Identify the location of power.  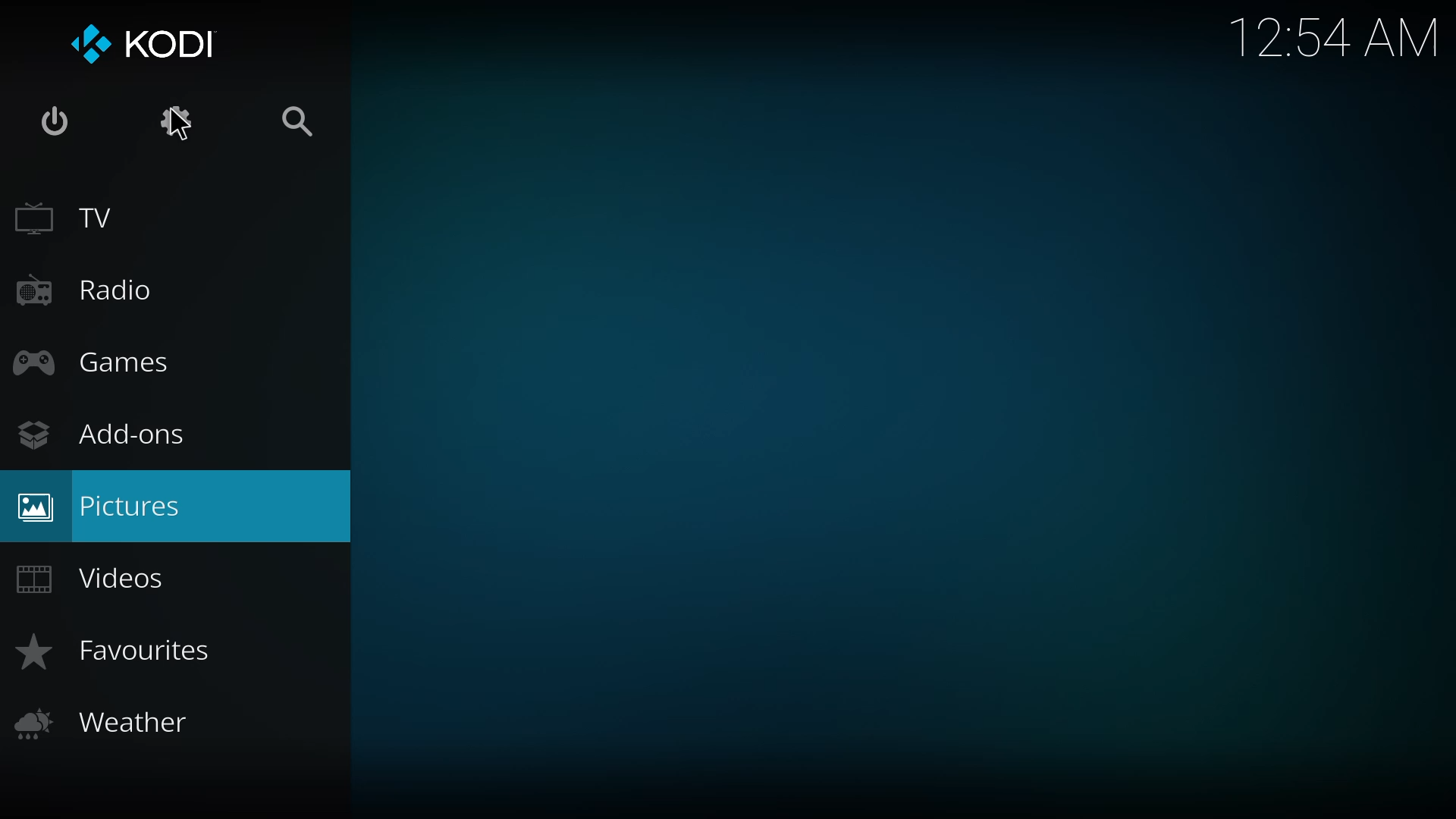
(52, 117).